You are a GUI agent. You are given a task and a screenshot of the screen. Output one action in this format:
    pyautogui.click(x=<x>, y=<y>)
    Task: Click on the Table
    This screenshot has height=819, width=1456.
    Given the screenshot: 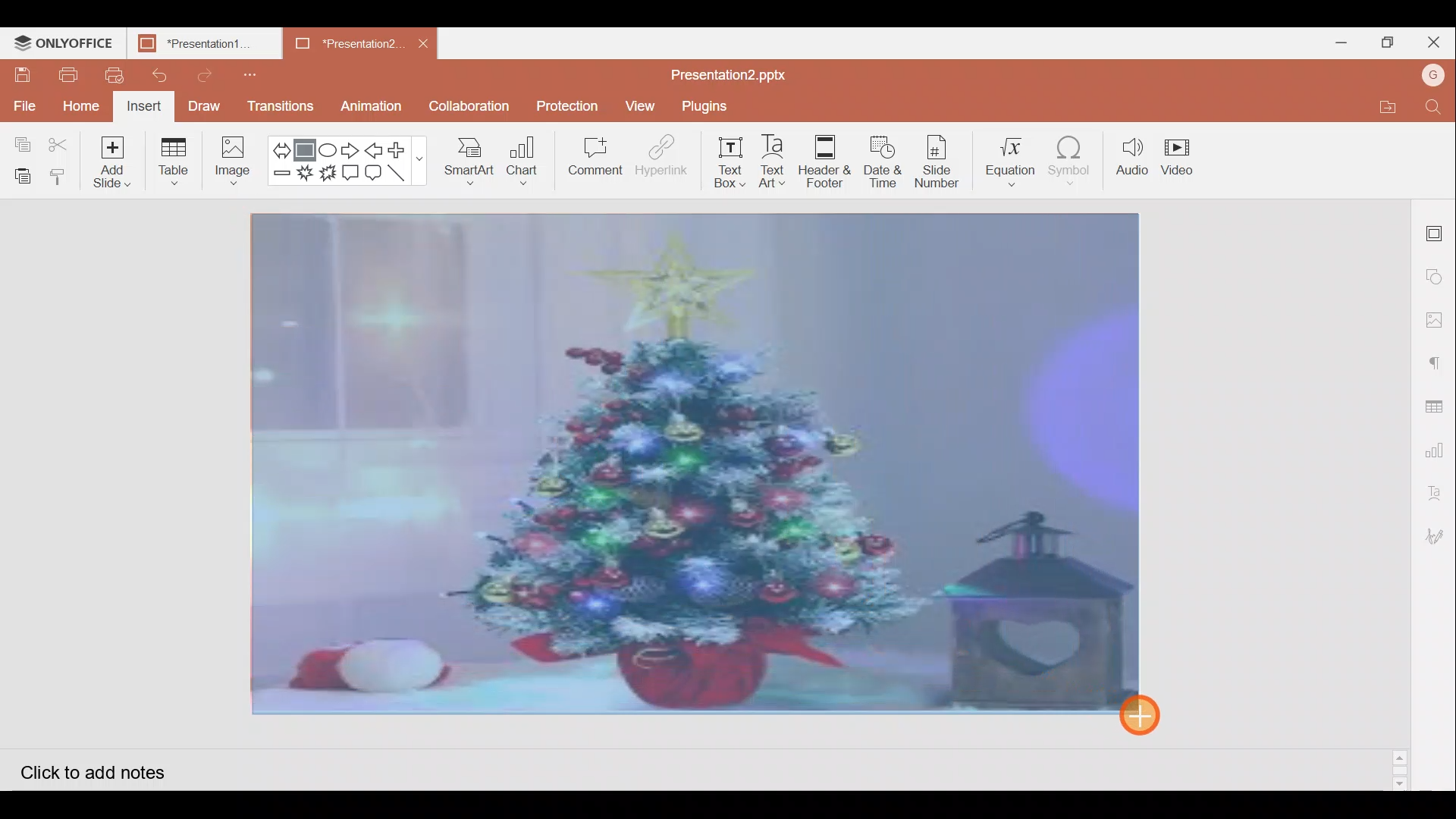 What is the action you would take?
    pyautogui.click(x=177, y=160)
    